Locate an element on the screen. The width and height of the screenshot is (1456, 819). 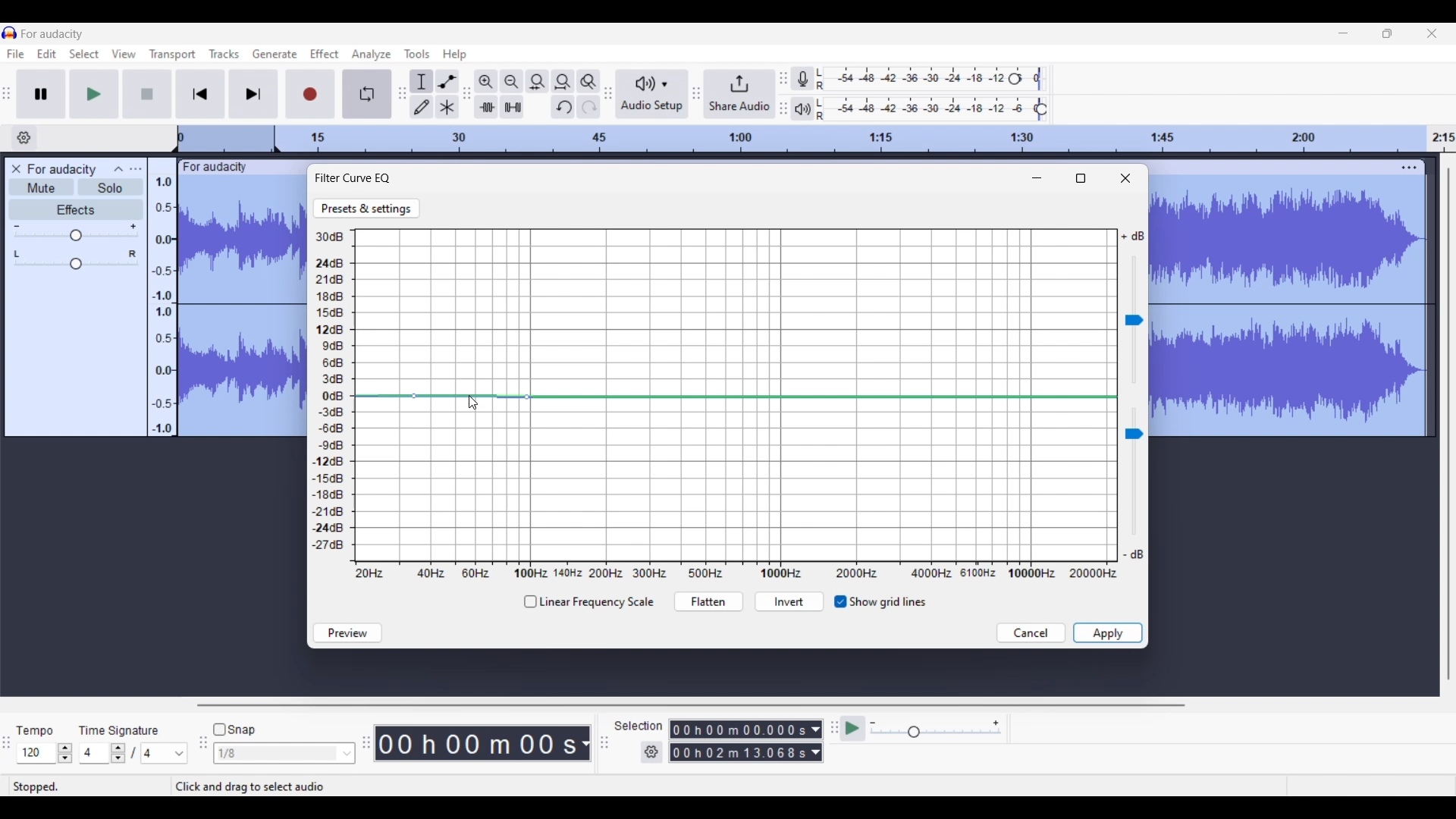
Change sound is located at coordinates (1134, 320).